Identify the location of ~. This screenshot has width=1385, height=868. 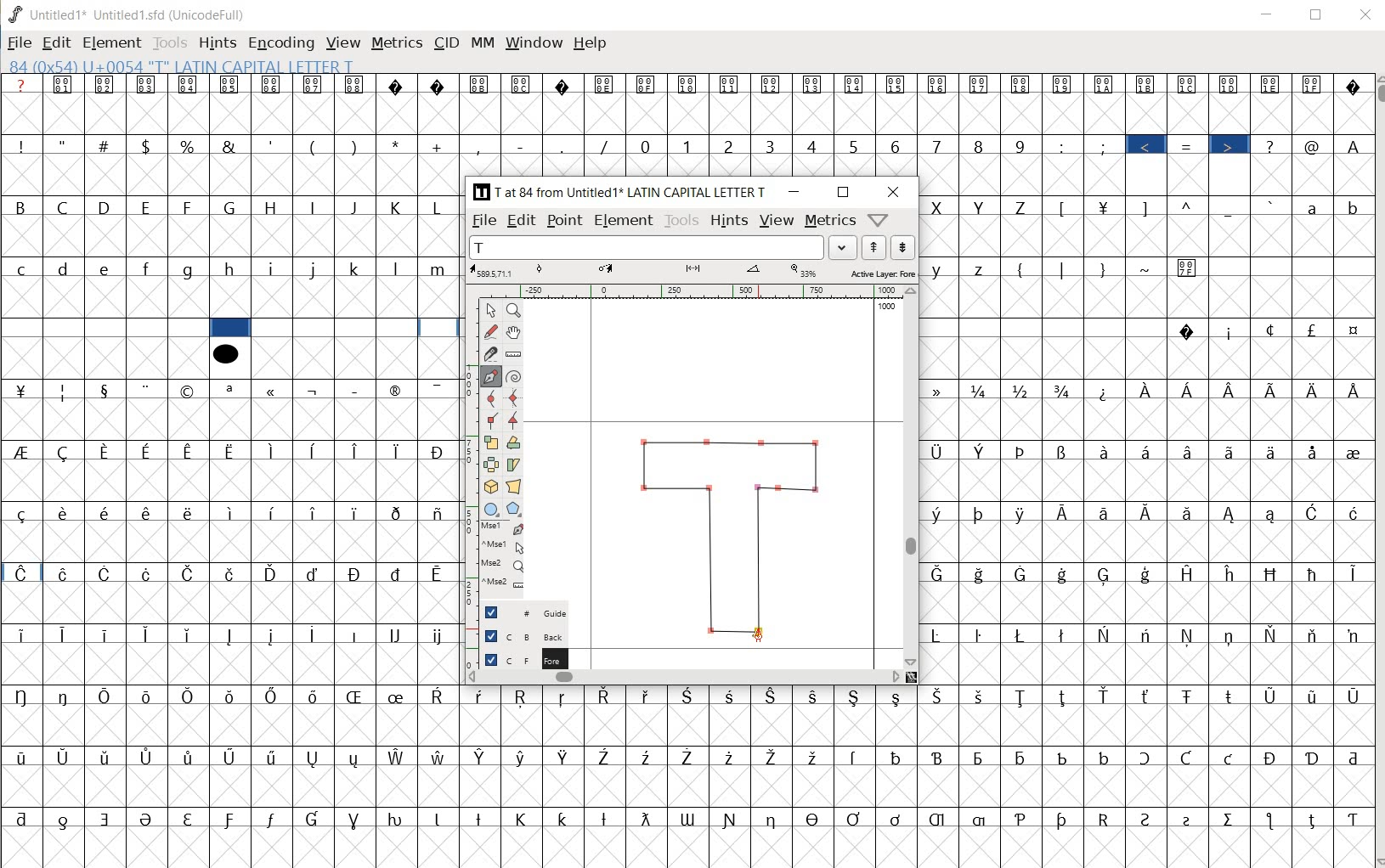
(1148, 269).